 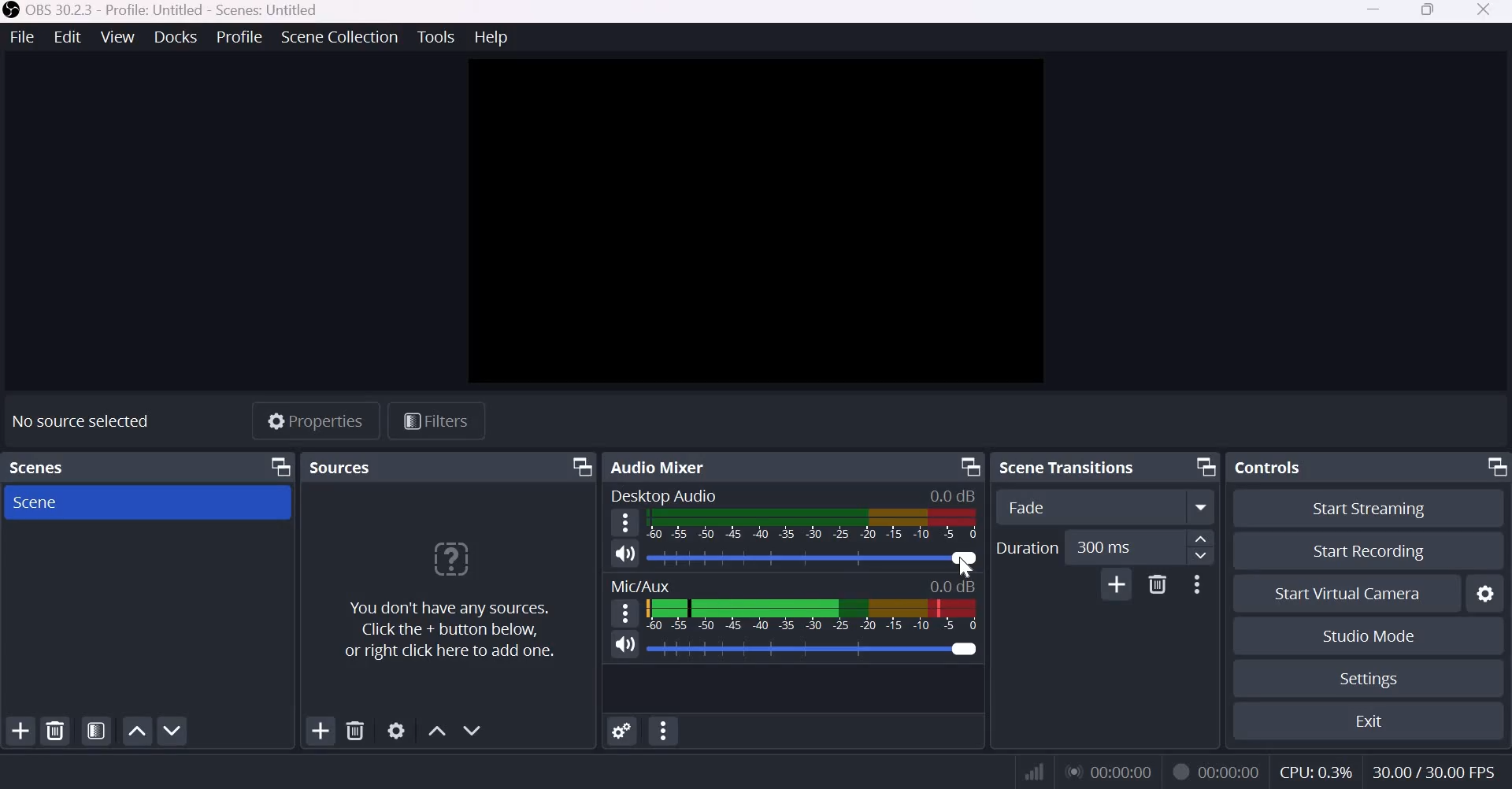 What do you see at coordinates (80, 420) in the screenshot?
I see `No source selected` at bounding box center [80, 420].